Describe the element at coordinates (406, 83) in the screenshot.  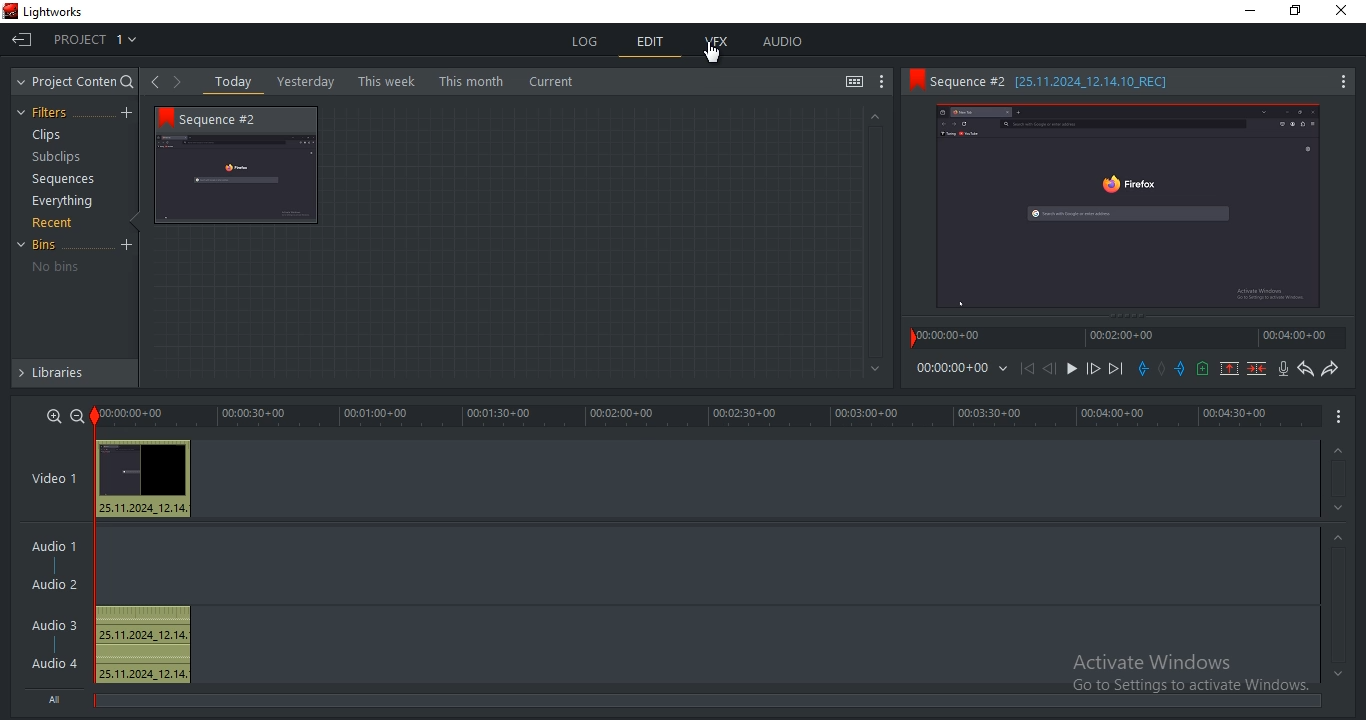
I see `text` at that location.